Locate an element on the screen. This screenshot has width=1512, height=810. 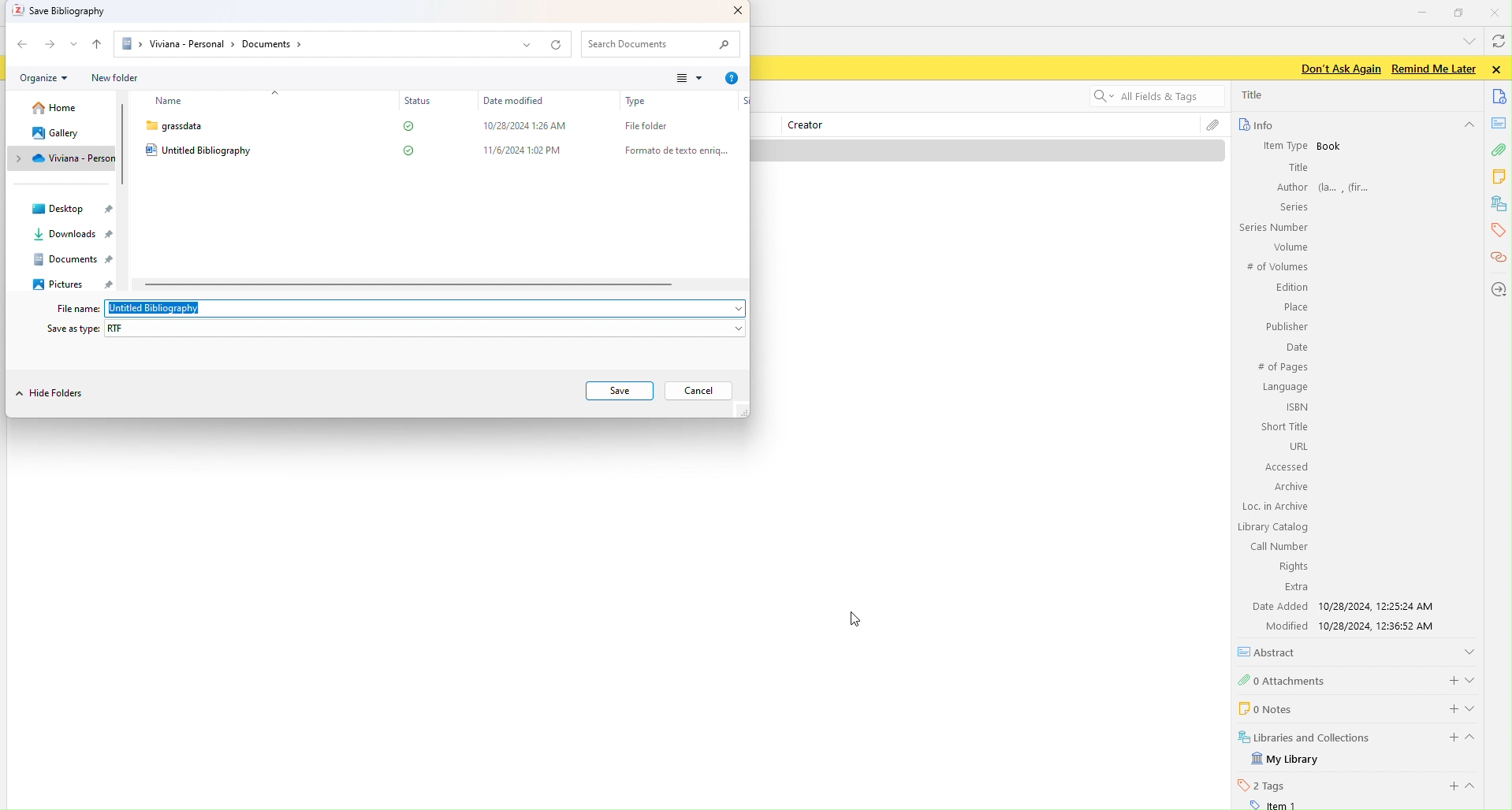
Organize is located at coordinates (42, 77).